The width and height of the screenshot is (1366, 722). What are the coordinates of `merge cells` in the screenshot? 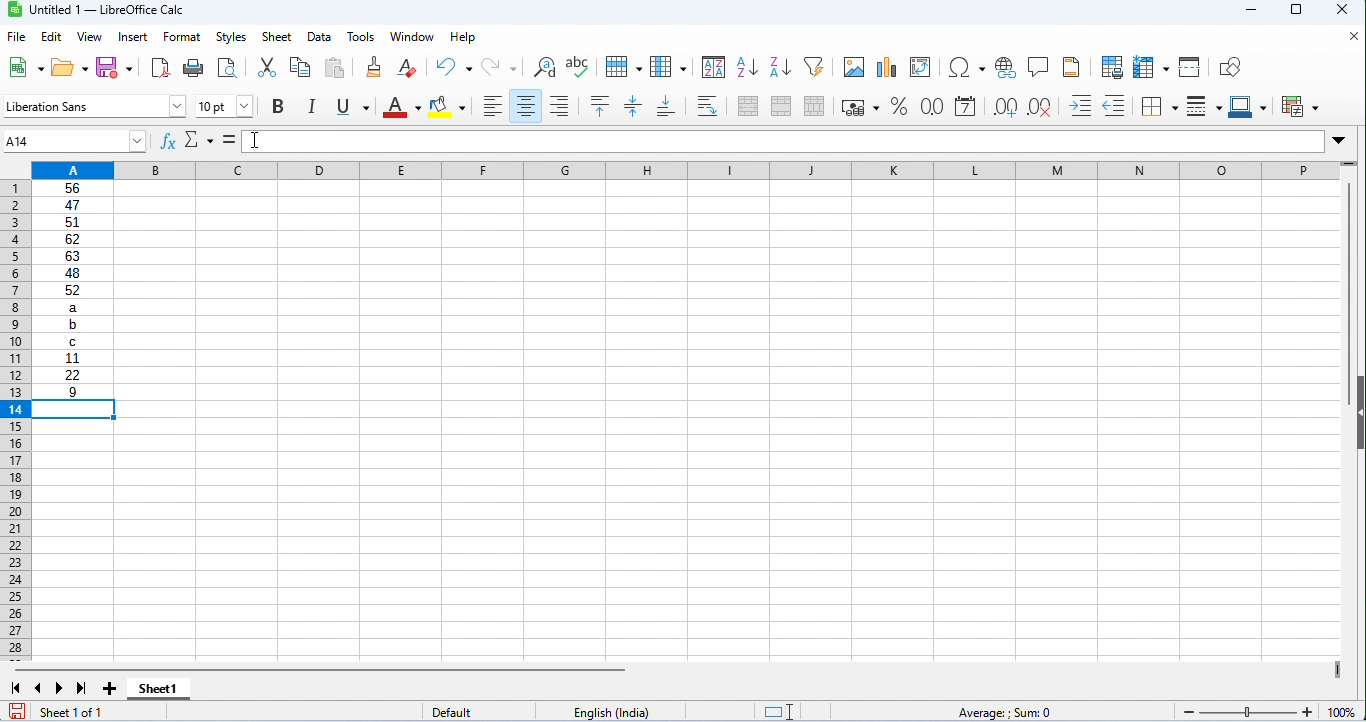 It's located at (780, 104).